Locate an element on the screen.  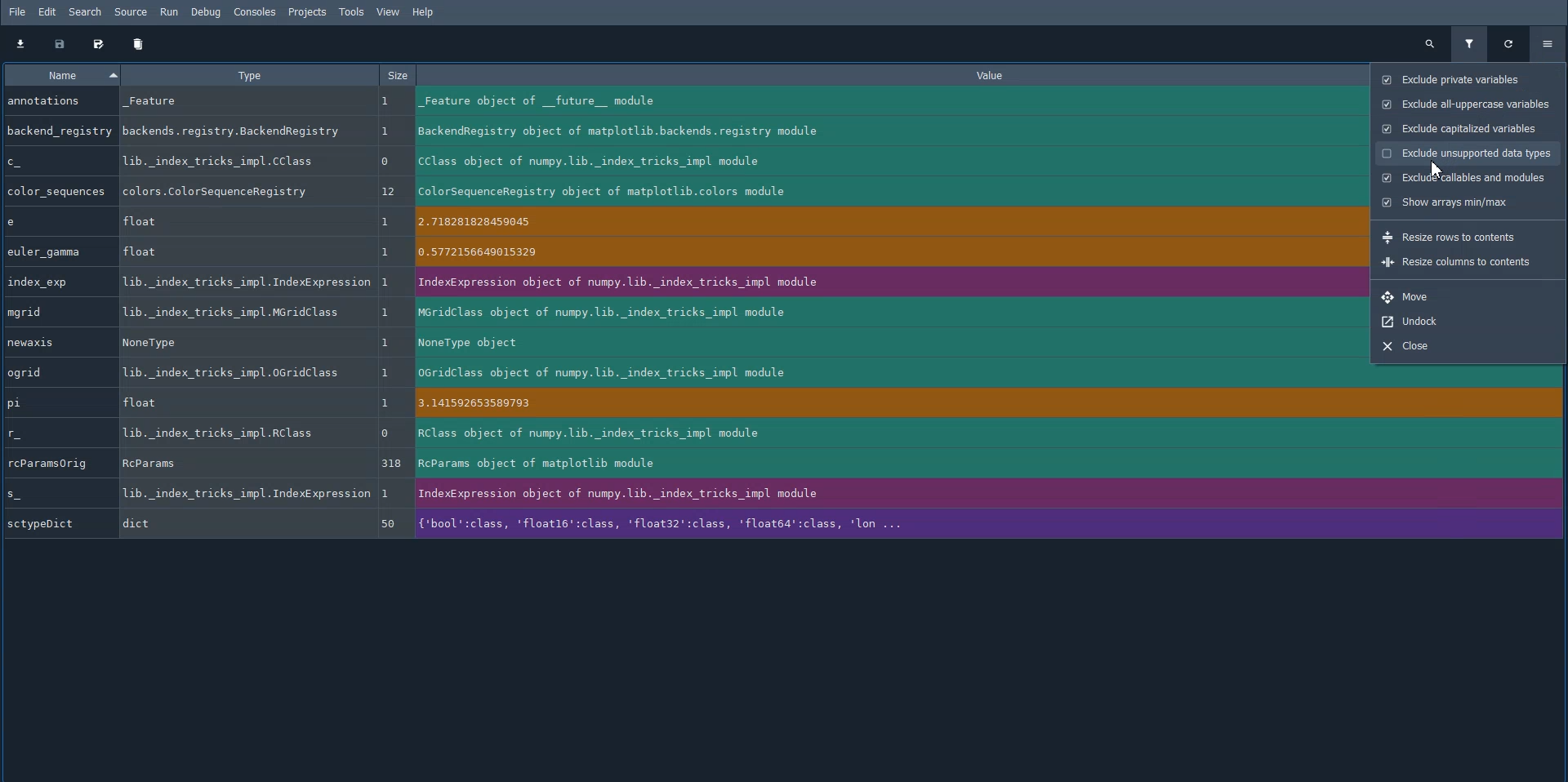
index_exp is located at coordinates (55, 282).